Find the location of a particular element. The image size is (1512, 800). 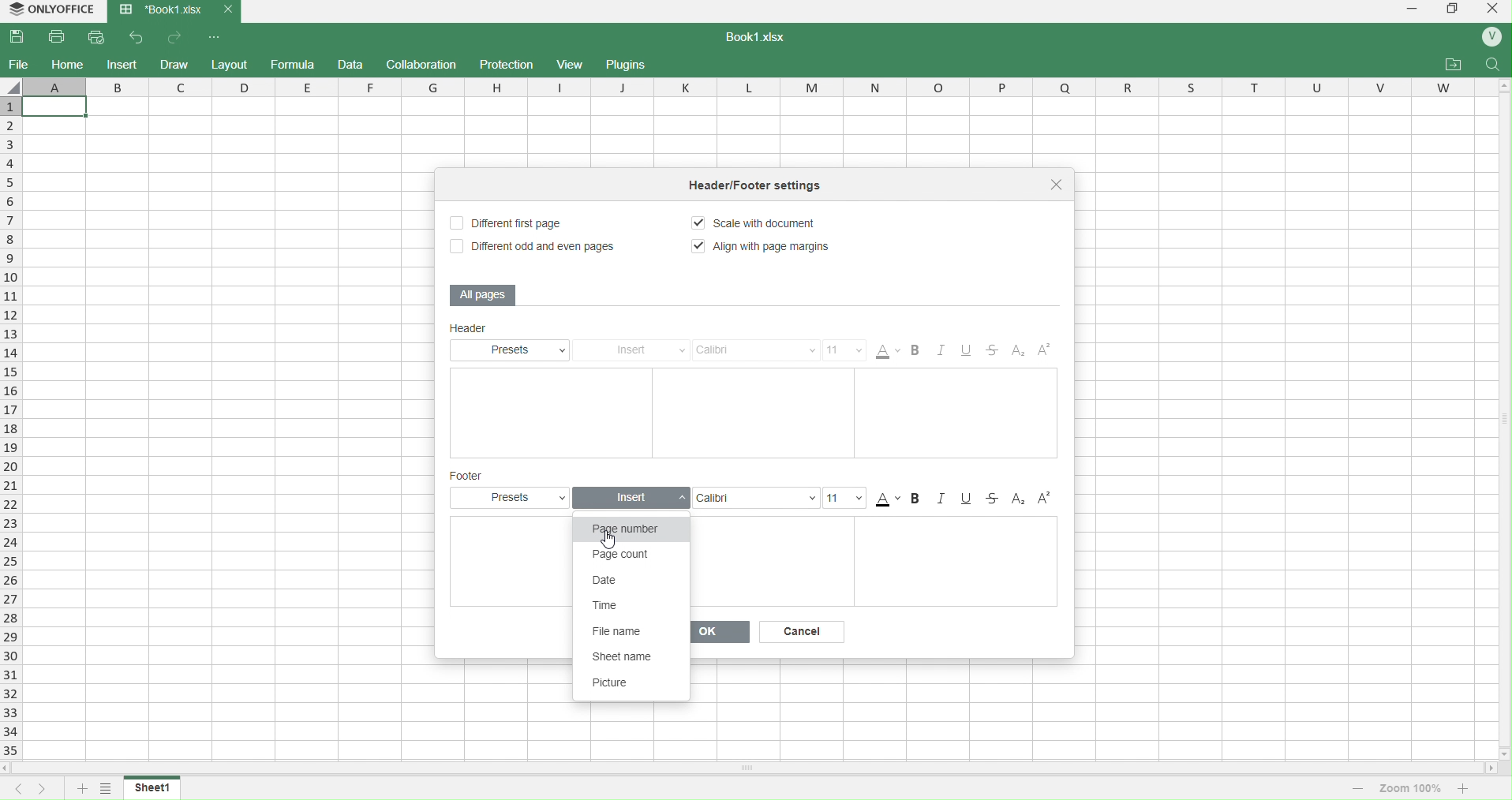

attachments is located at coordinates (1453, 65).